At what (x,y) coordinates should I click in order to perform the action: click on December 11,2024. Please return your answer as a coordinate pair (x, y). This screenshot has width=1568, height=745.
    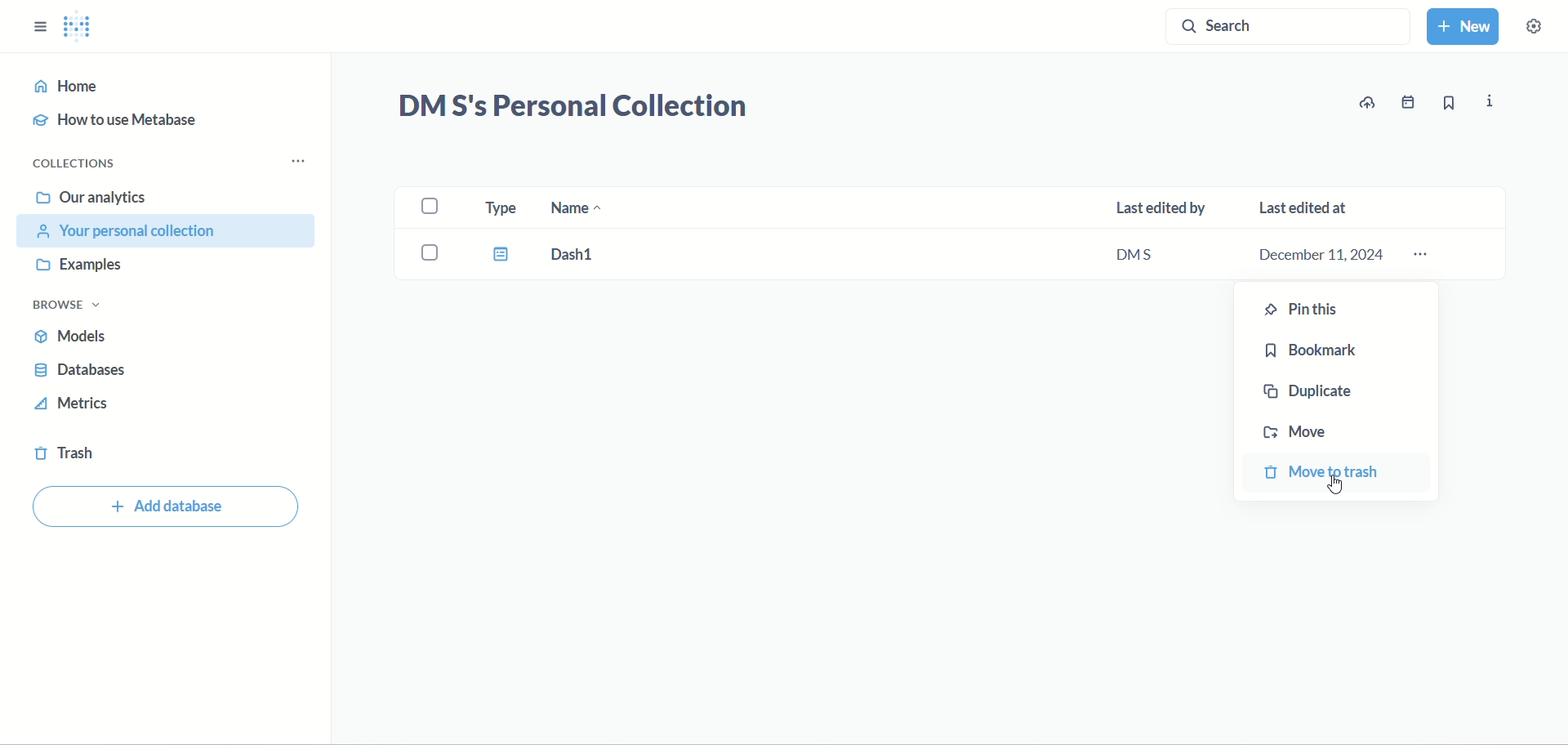
    Looking at the image, I should click on (1319, 253).